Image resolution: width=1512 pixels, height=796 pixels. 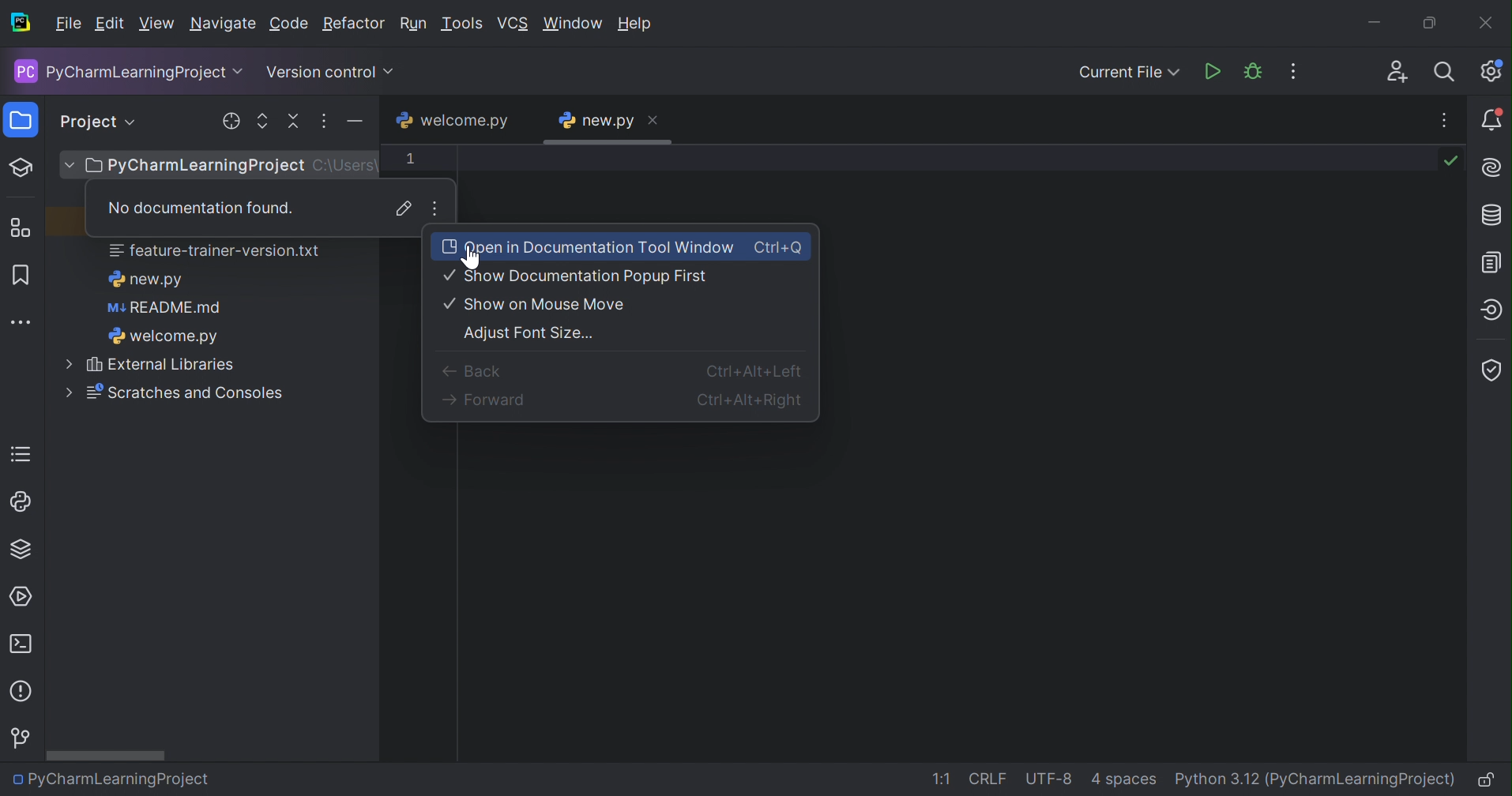 What do you see at coordinates (22, 166) in the screenshot?
I see `Learn` at bounding box center [22, 166].